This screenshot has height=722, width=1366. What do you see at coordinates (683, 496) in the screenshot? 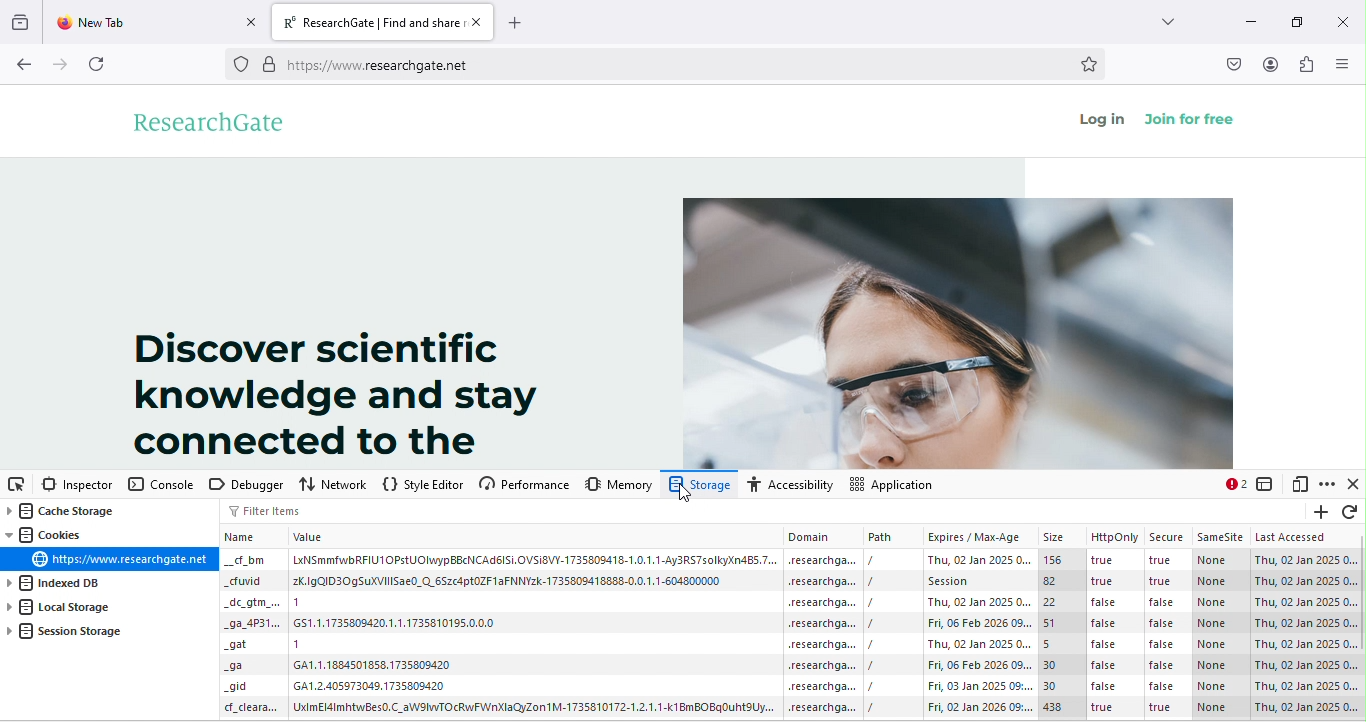
I see `cursor movement` at bounding box center [683, 496].